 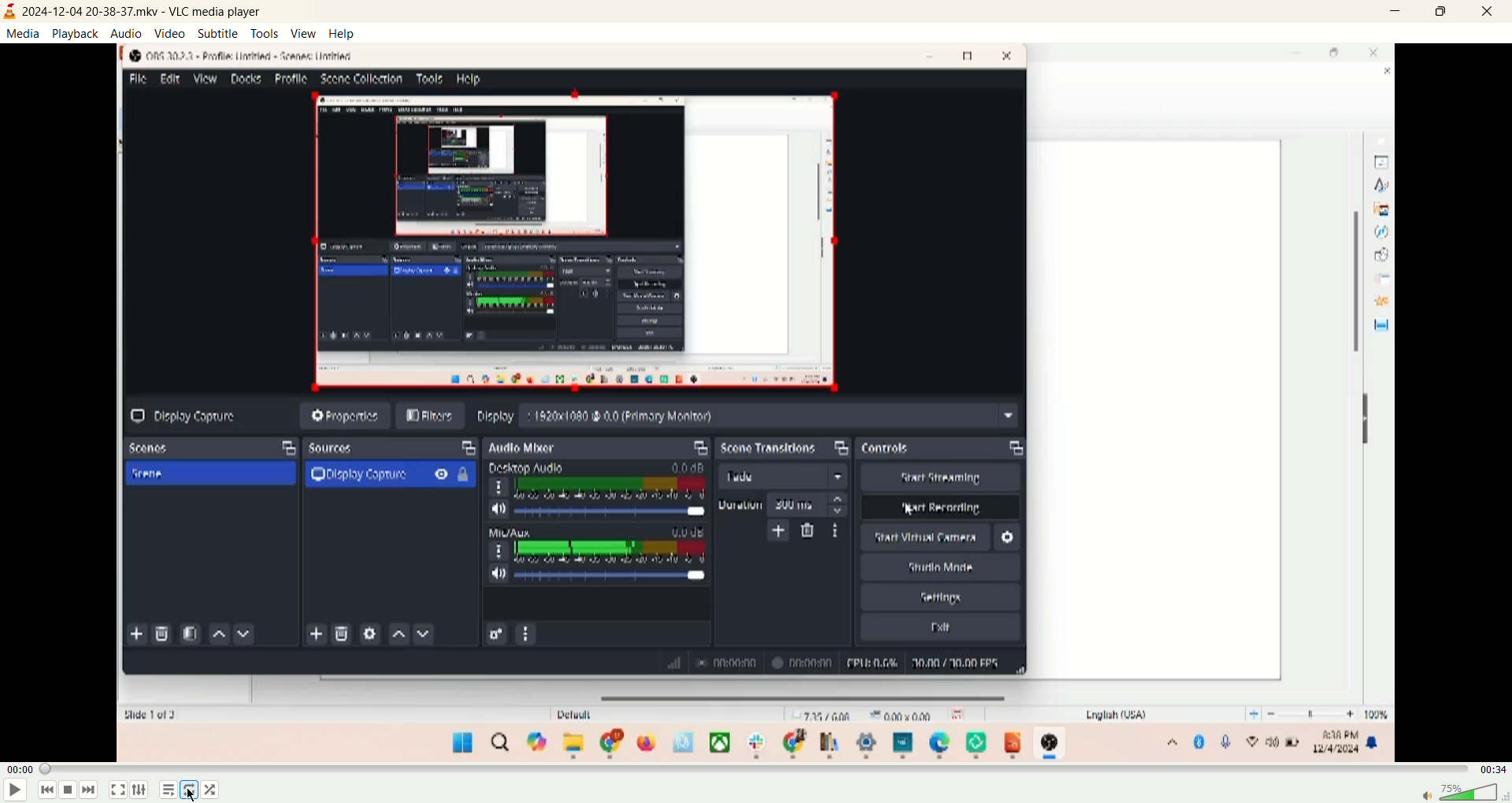 What do you see at coordinates (218, 34) in the screenshot?
I see `subtitle` at bounding box center [218, 34].